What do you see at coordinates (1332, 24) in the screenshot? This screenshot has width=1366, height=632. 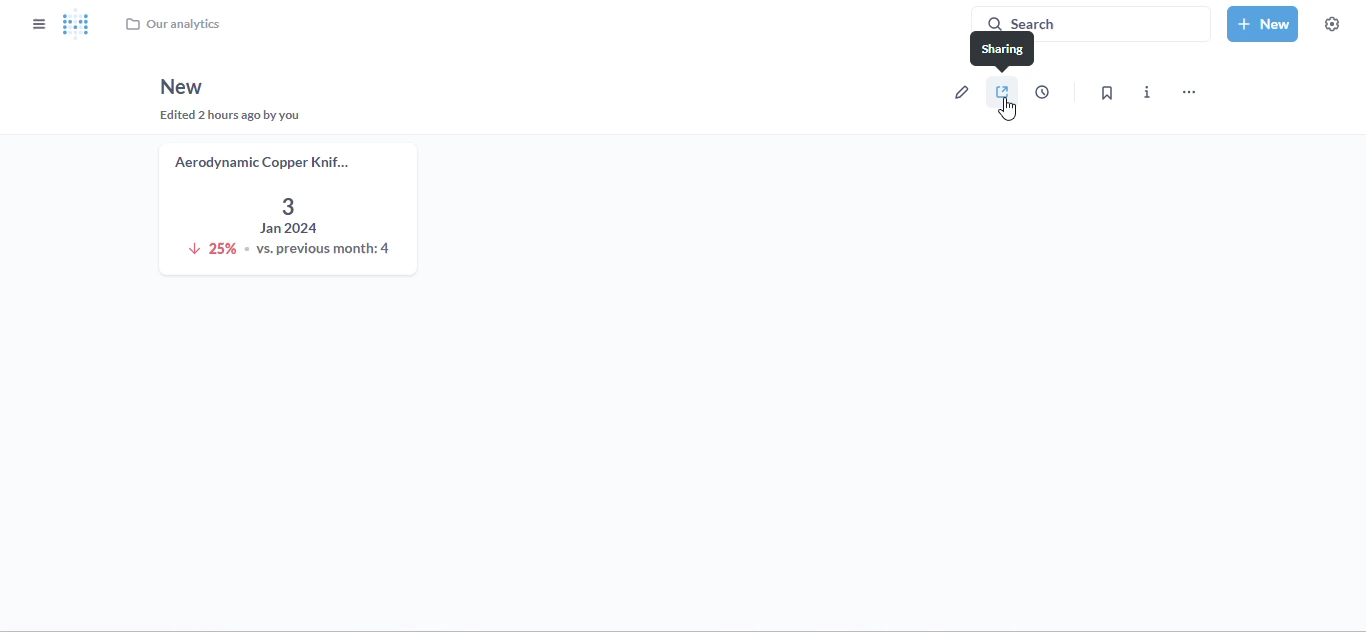 I see `settings` at bounding box center [1332, 24].